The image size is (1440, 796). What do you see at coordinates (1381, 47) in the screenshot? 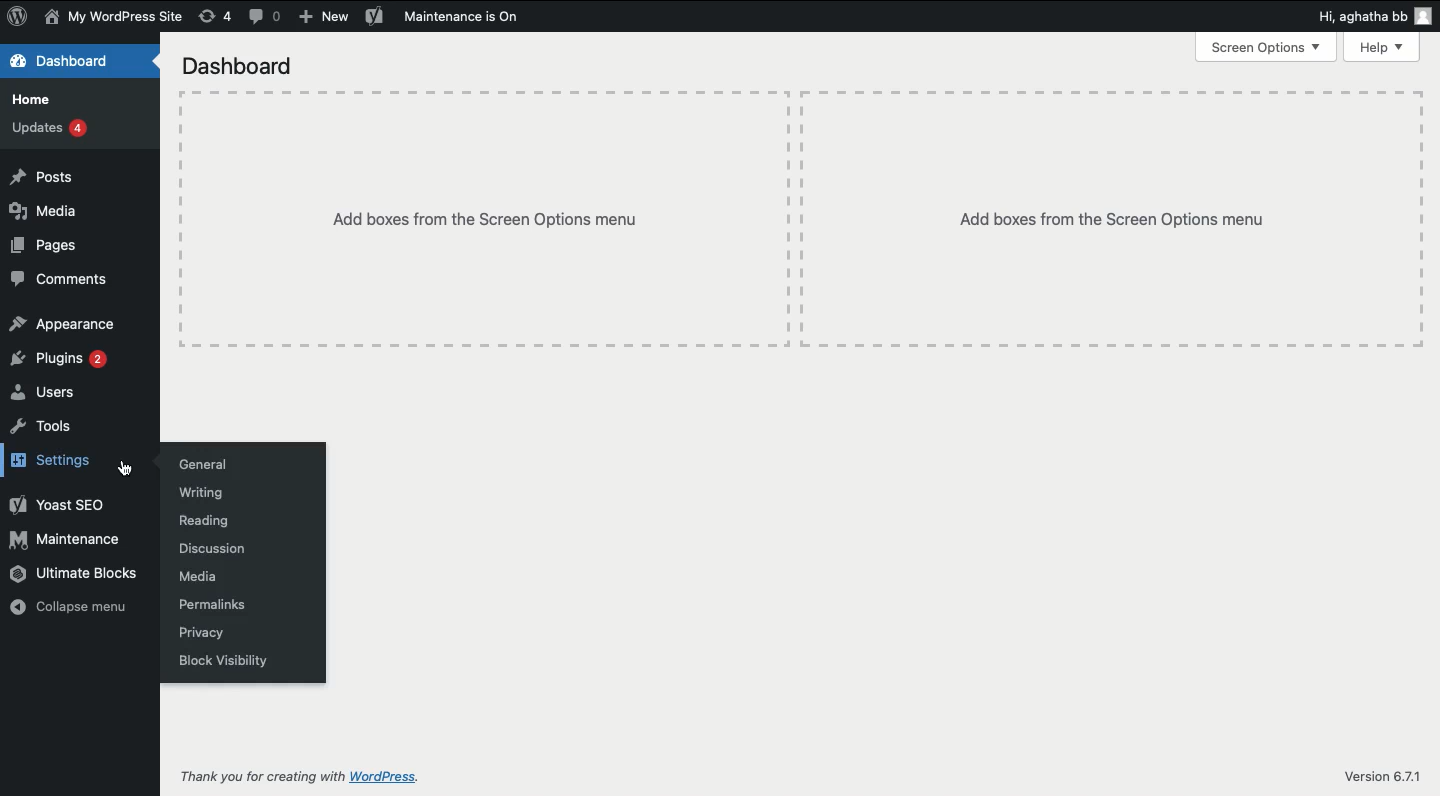
I see `Help` at bounding box center [1381, 47].